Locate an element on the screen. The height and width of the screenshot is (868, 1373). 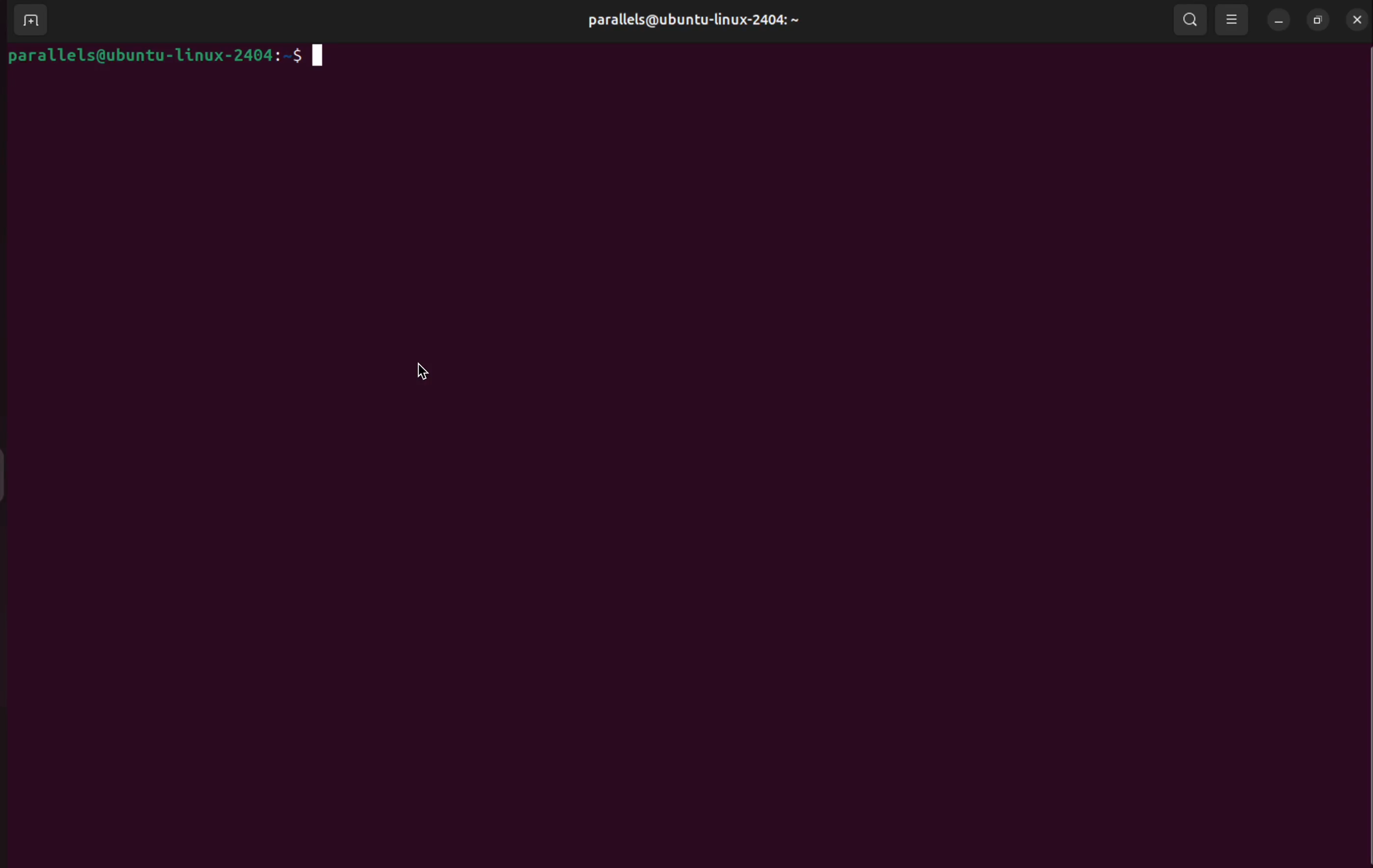
search is located at coordinates (1189, 20).